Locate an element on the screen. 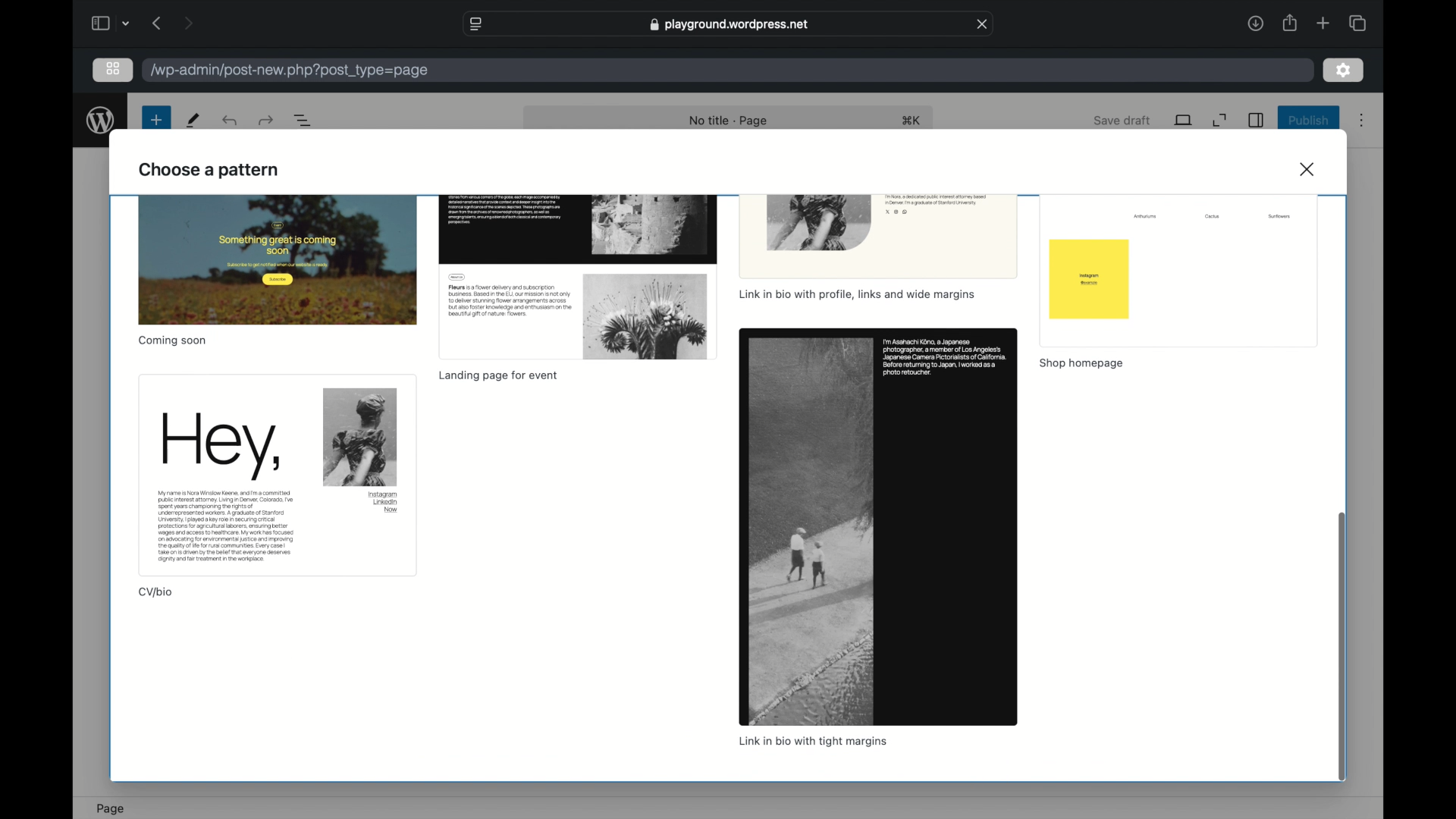  close is located at coordinates (1309, 168).